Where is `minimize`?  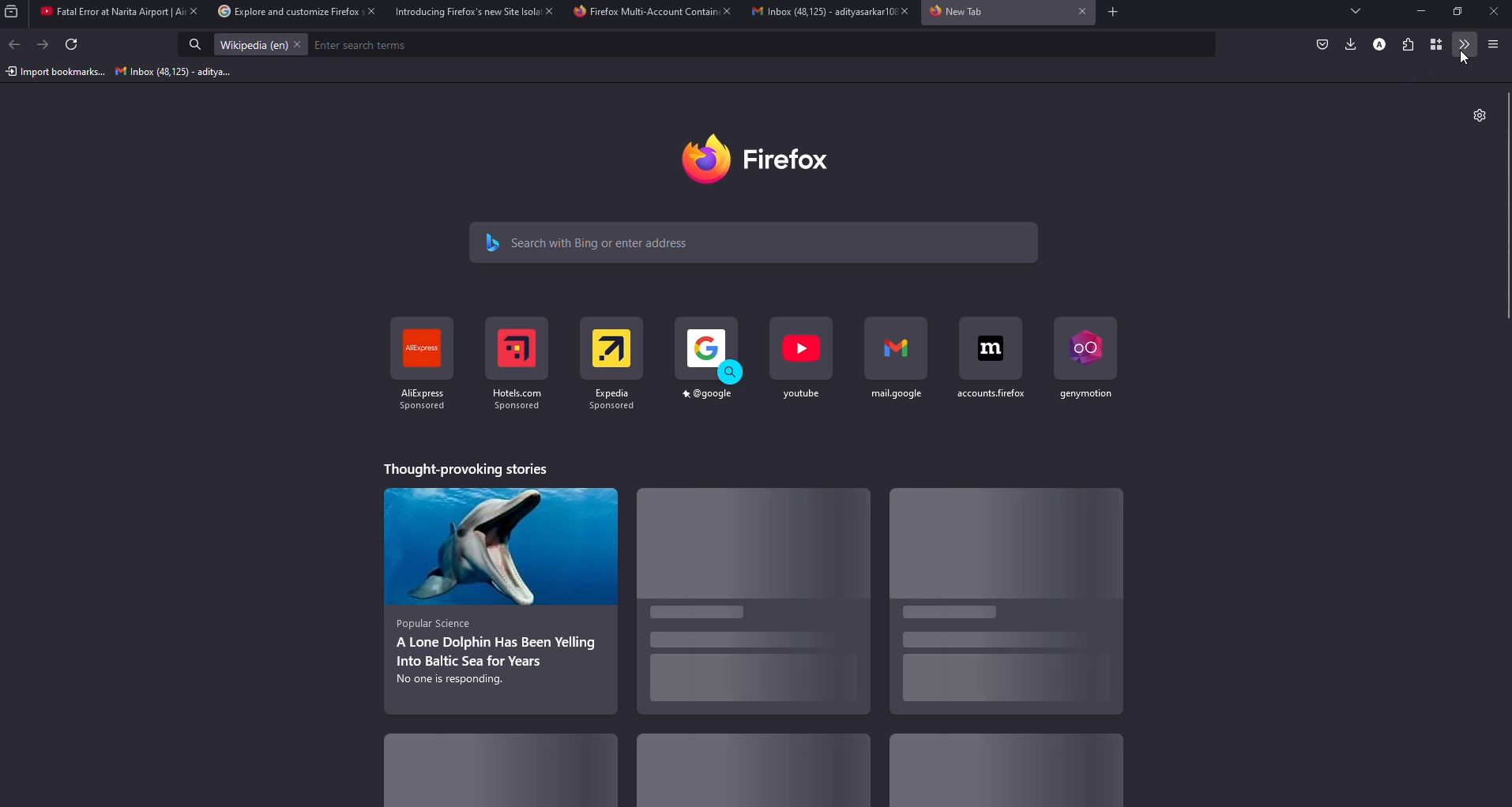 minimize is located at coordinates (1416, 11).